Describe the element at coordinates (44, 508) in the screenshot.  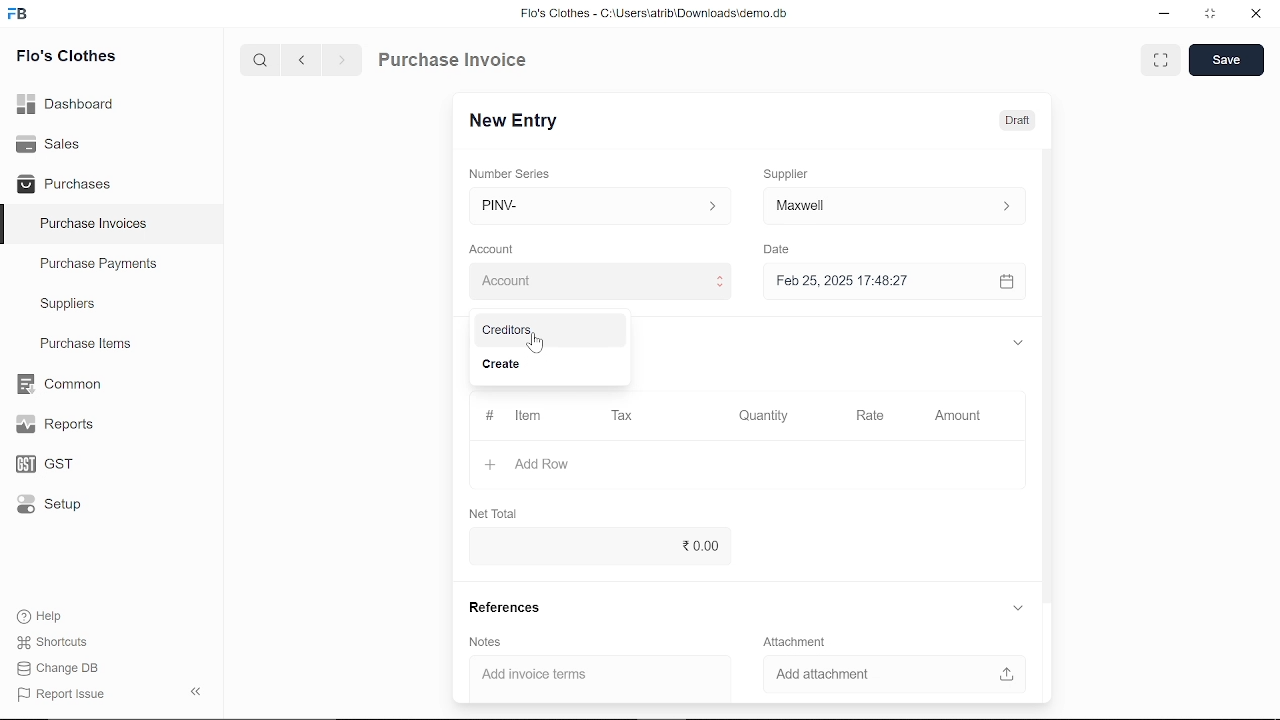
I see `Setup` at that location.